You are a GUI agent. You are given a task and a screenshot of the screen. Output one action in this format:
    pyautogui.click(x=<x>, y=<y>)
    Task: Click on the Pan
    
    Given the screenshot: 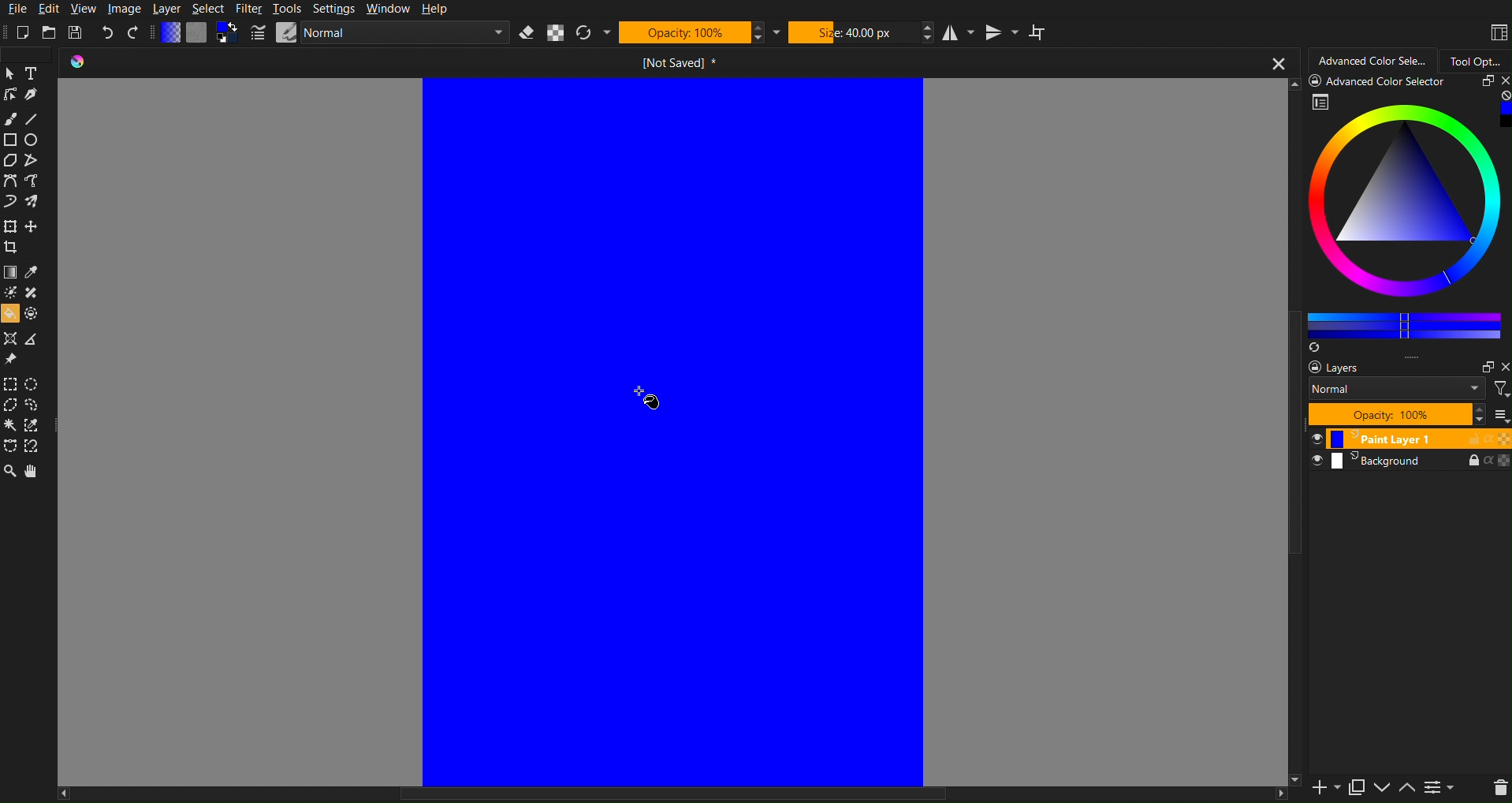 What is the action you would take?
    pyautogui.click(x=35, y=472)
    